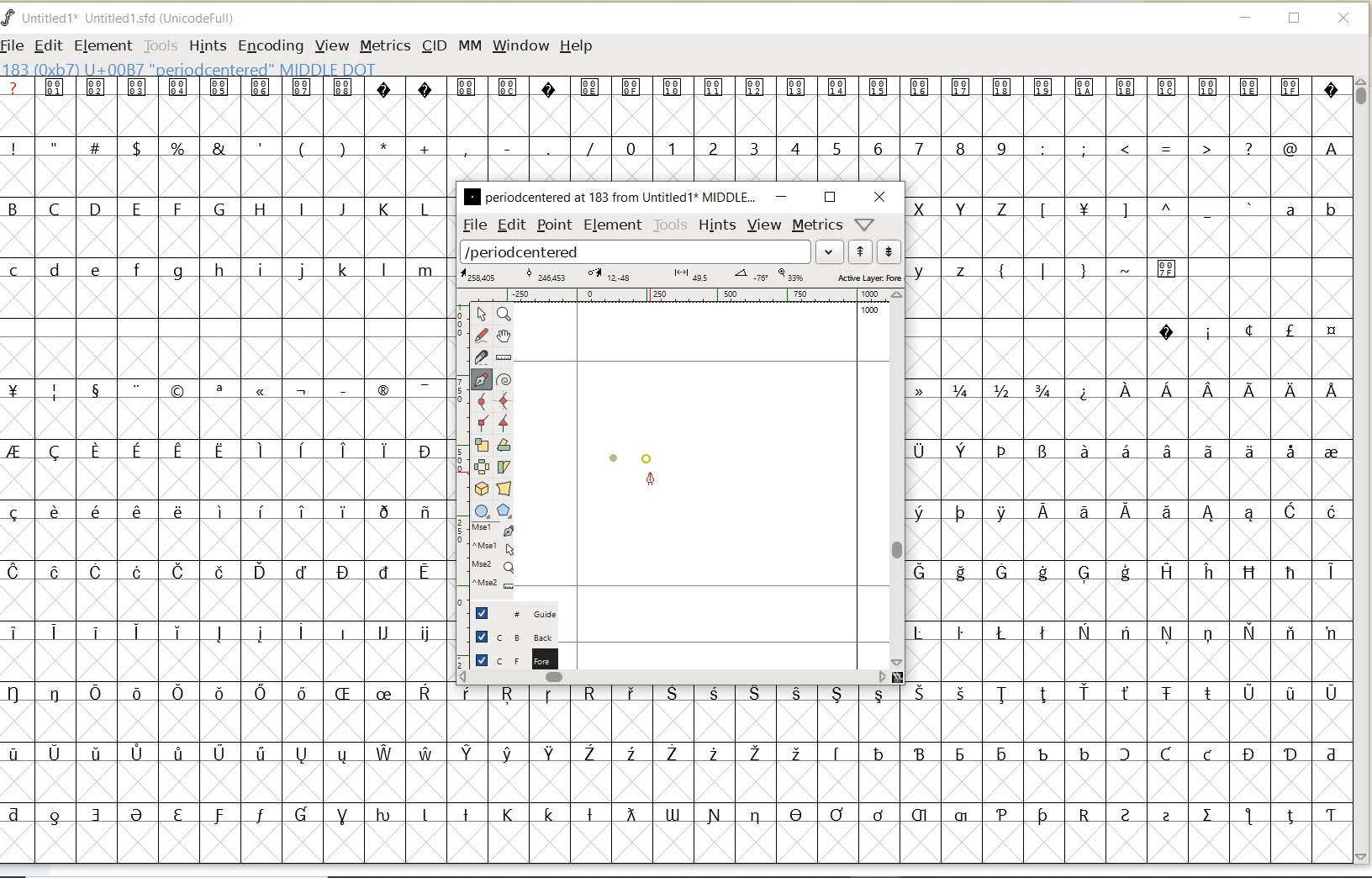 This screenshot has height=878, width=1372. Describe the element at coordinates (510, 614) in the screenshot. I see `guide` at that location.